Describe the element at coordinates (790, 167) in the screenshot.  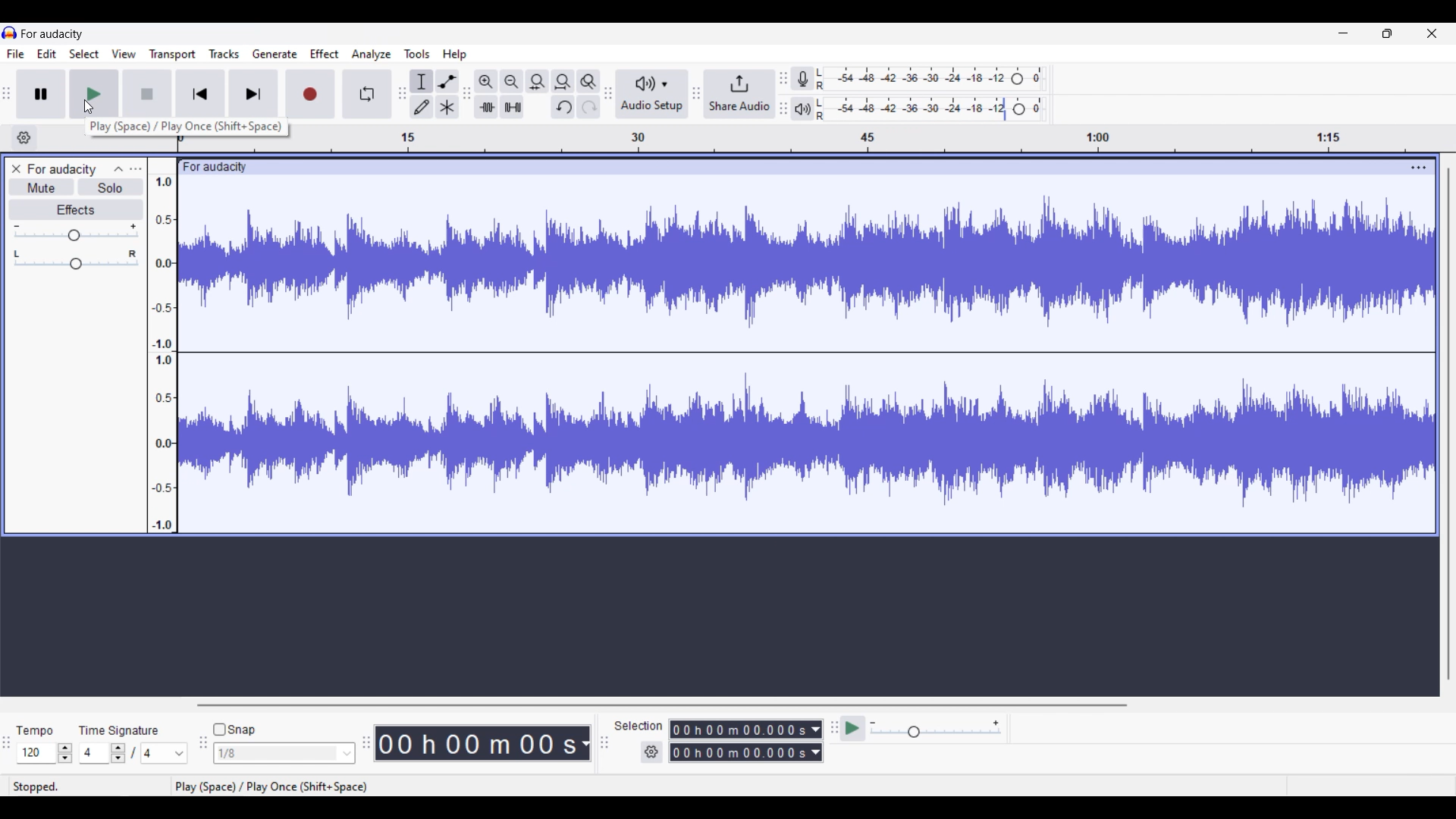
I see `click to drag` at that location.